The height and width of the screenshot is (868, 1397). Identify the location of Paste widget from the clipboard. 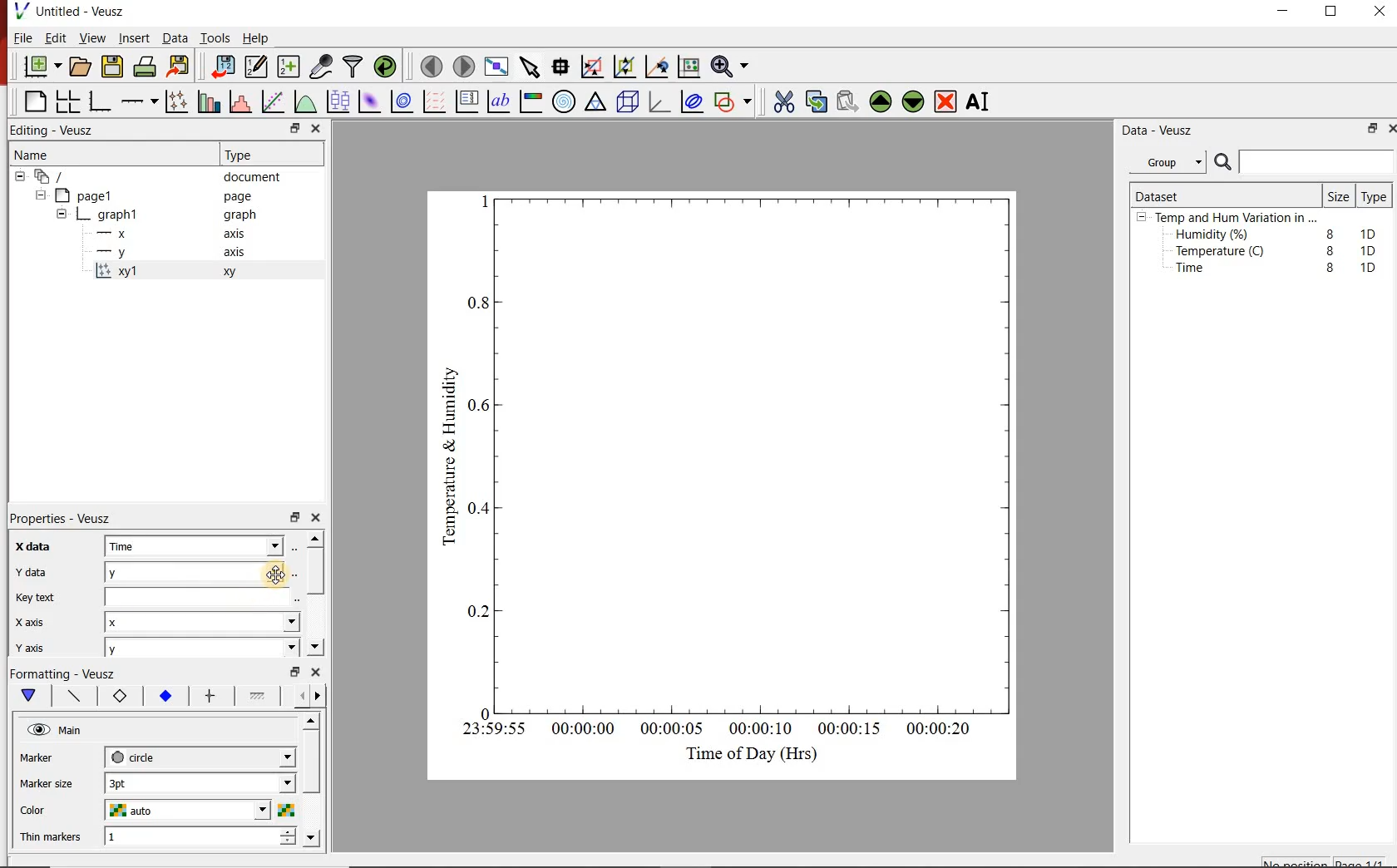
(848, 101).